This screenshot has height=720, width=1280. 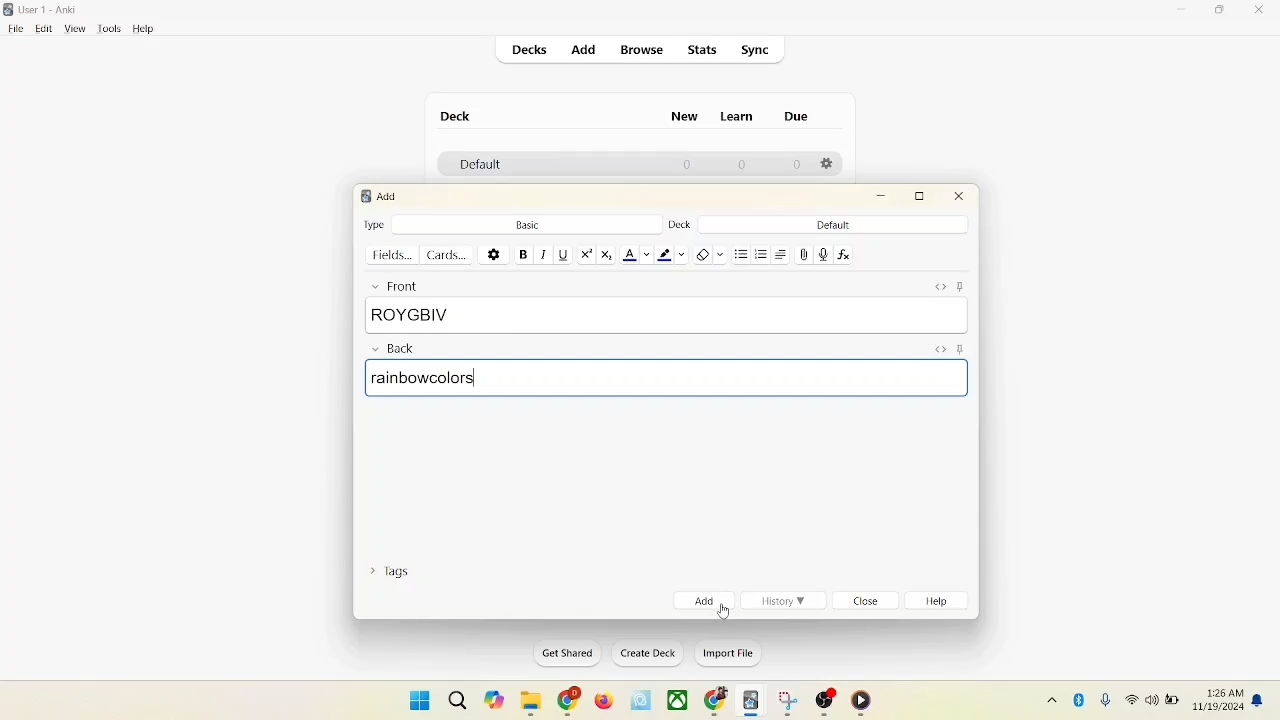 I want to click on import file, so click(x=726, y=656).